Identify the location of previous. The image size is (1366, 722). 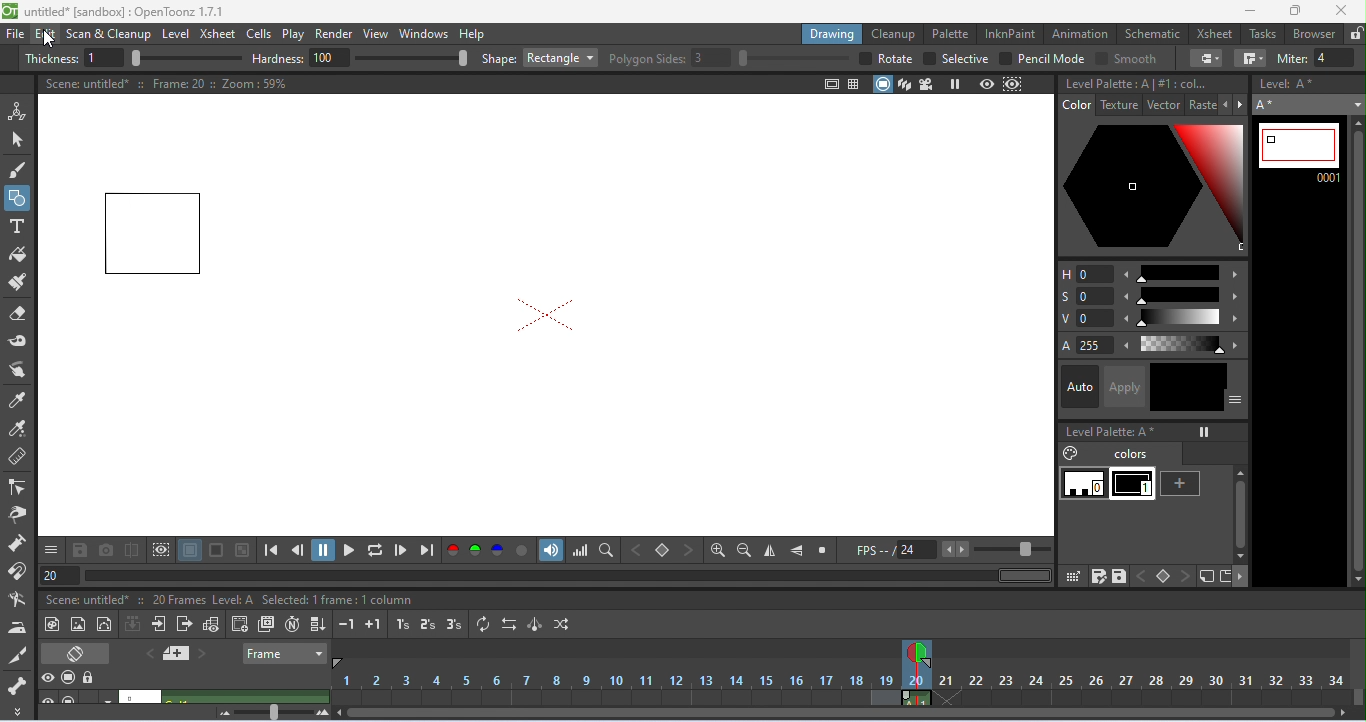
(1226, 106).